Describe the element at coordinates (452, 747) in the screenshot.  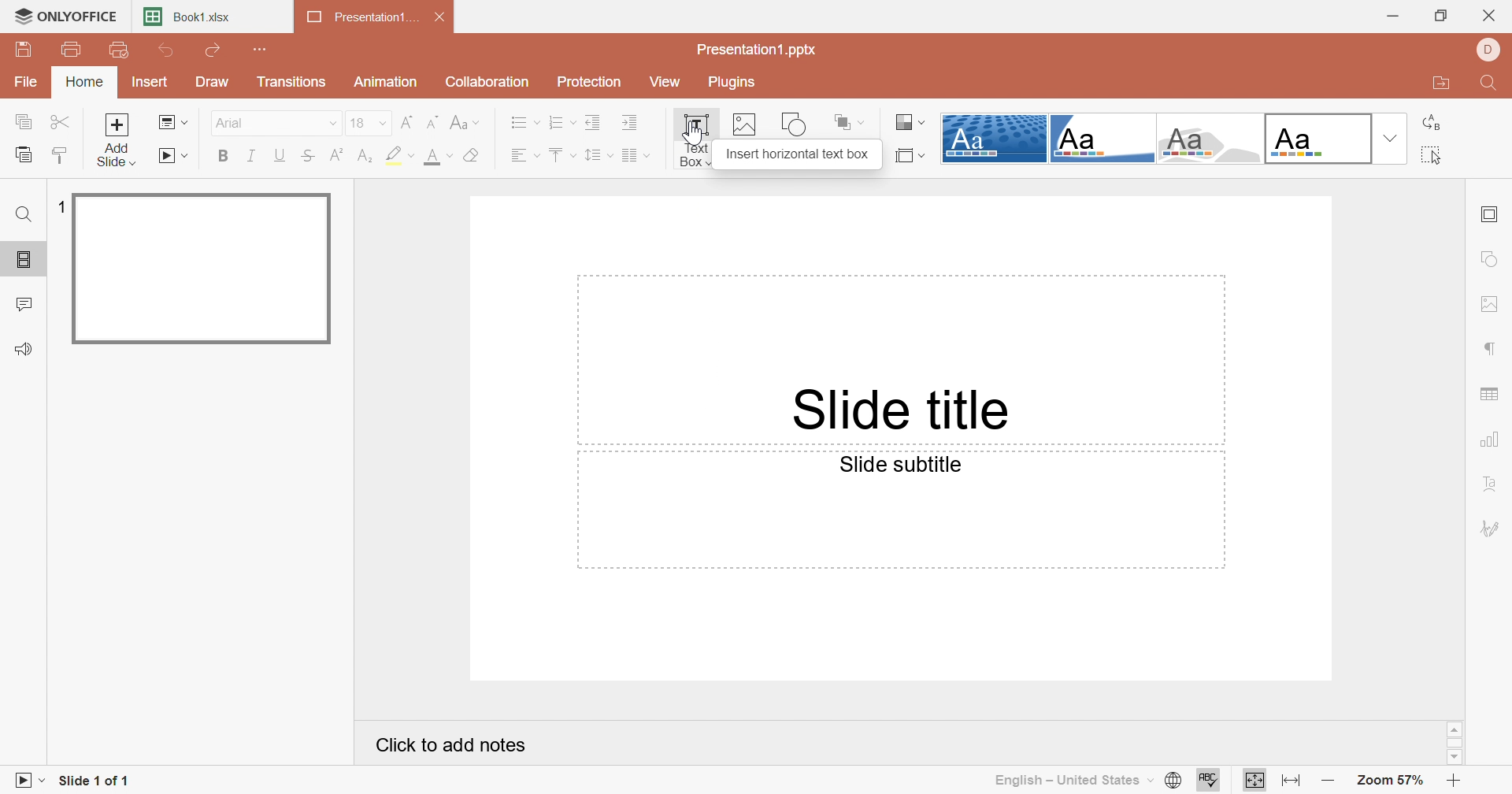
I see `Click to add notes` at that location.